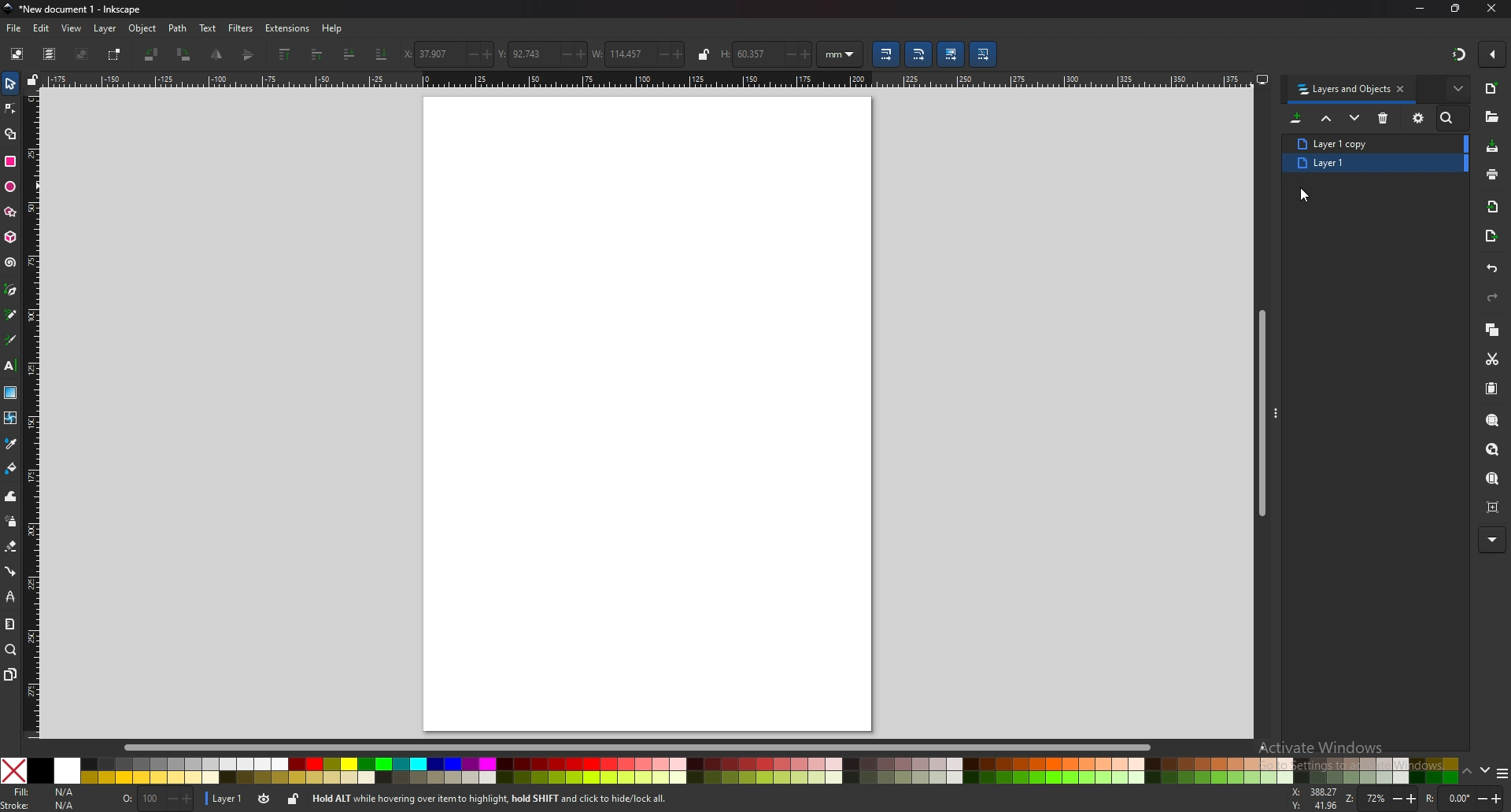 The height and width of the screenshot is (812, 1511). Describe the element at coordinates (11, 109) in the screenshot. I see `node` at that location.